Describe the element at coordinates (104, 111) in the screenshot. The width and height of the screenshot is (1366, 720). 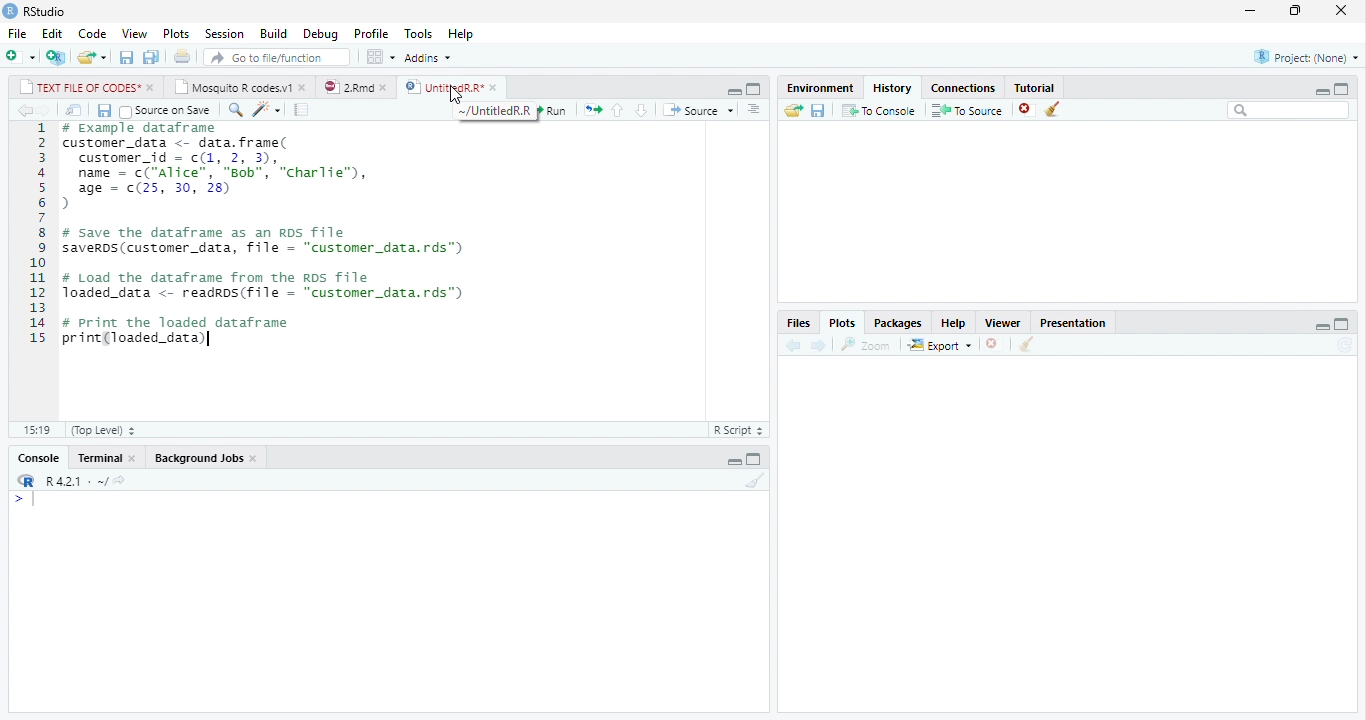
I see `save` at that location.